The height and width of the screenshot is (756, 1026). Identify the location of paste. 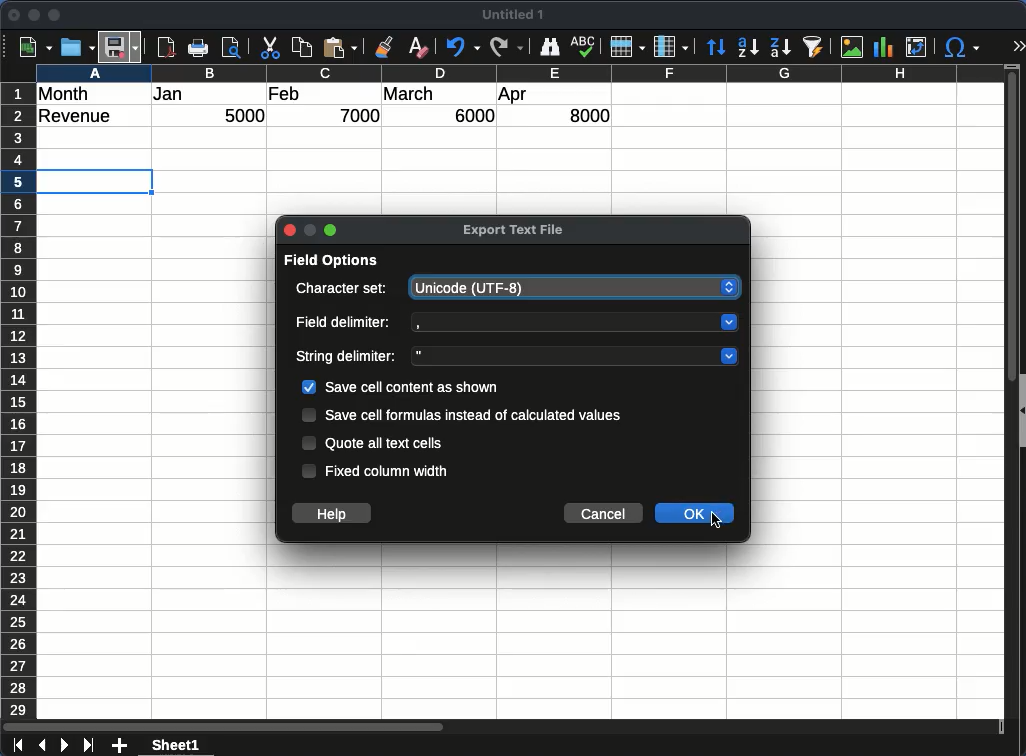
(342, 48).